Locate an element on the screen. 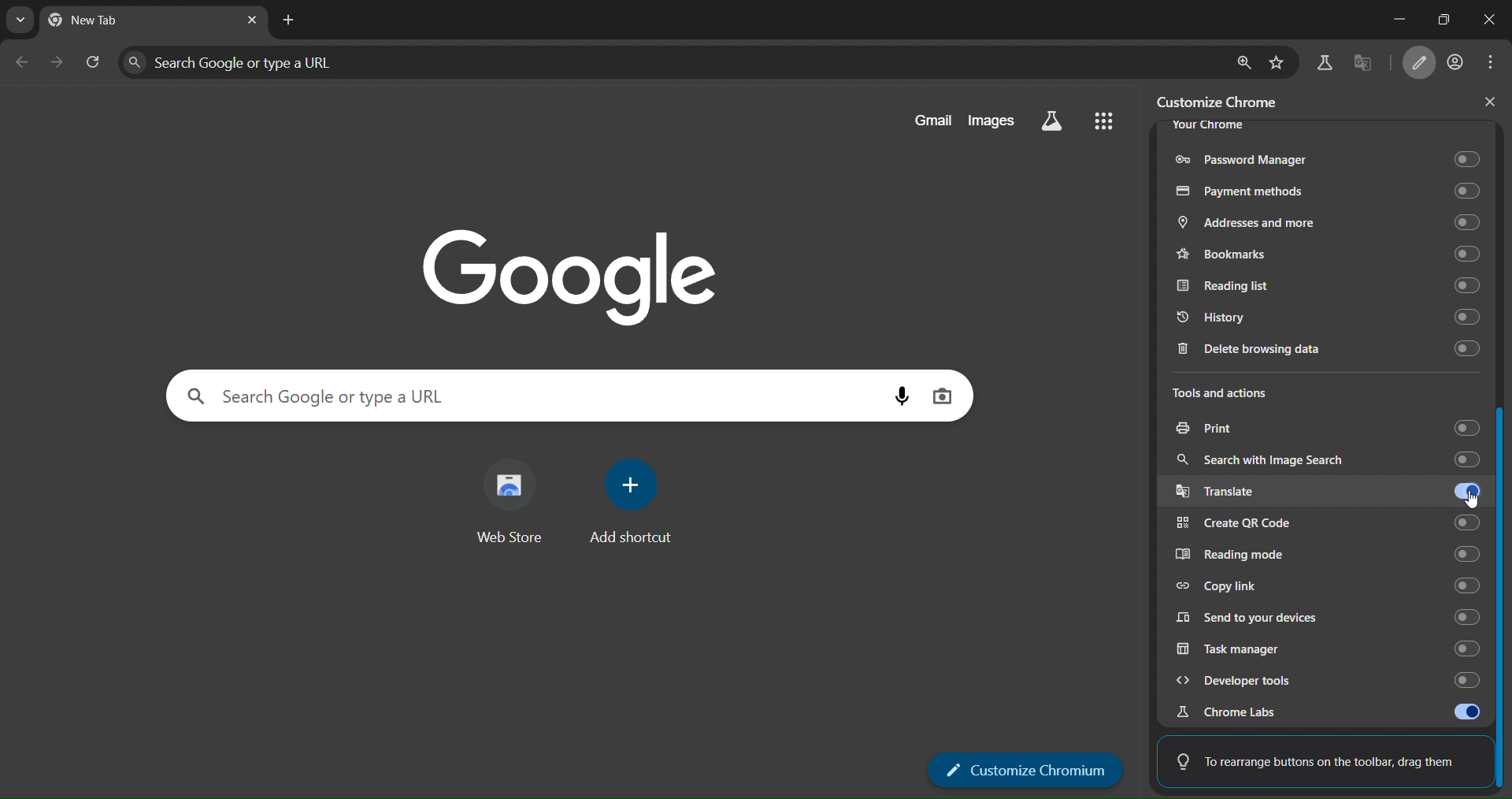  tools and actions is located at coordinates (1232, 394).